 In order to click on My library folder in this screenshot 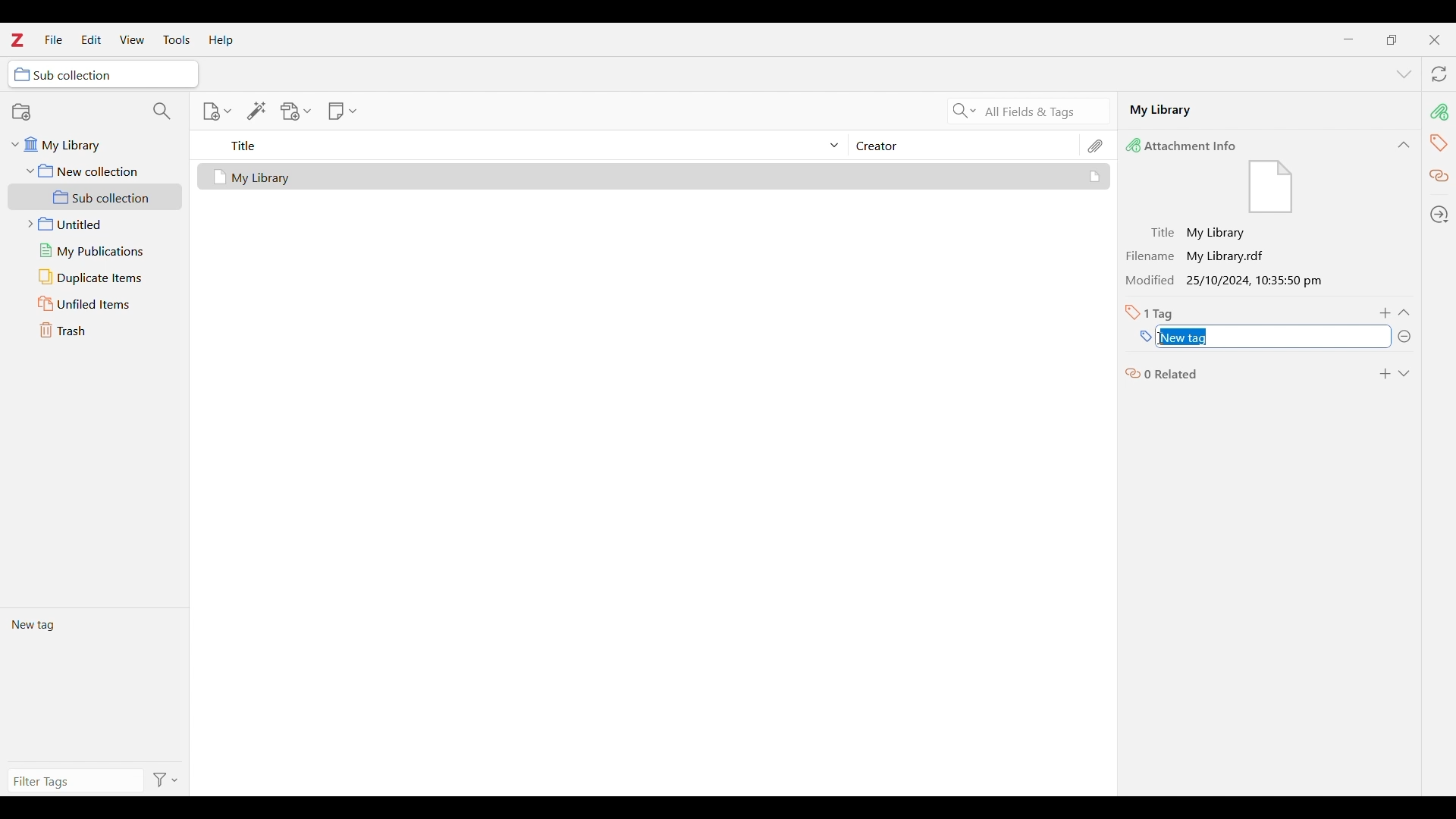, I will do `click(93, 143)`.